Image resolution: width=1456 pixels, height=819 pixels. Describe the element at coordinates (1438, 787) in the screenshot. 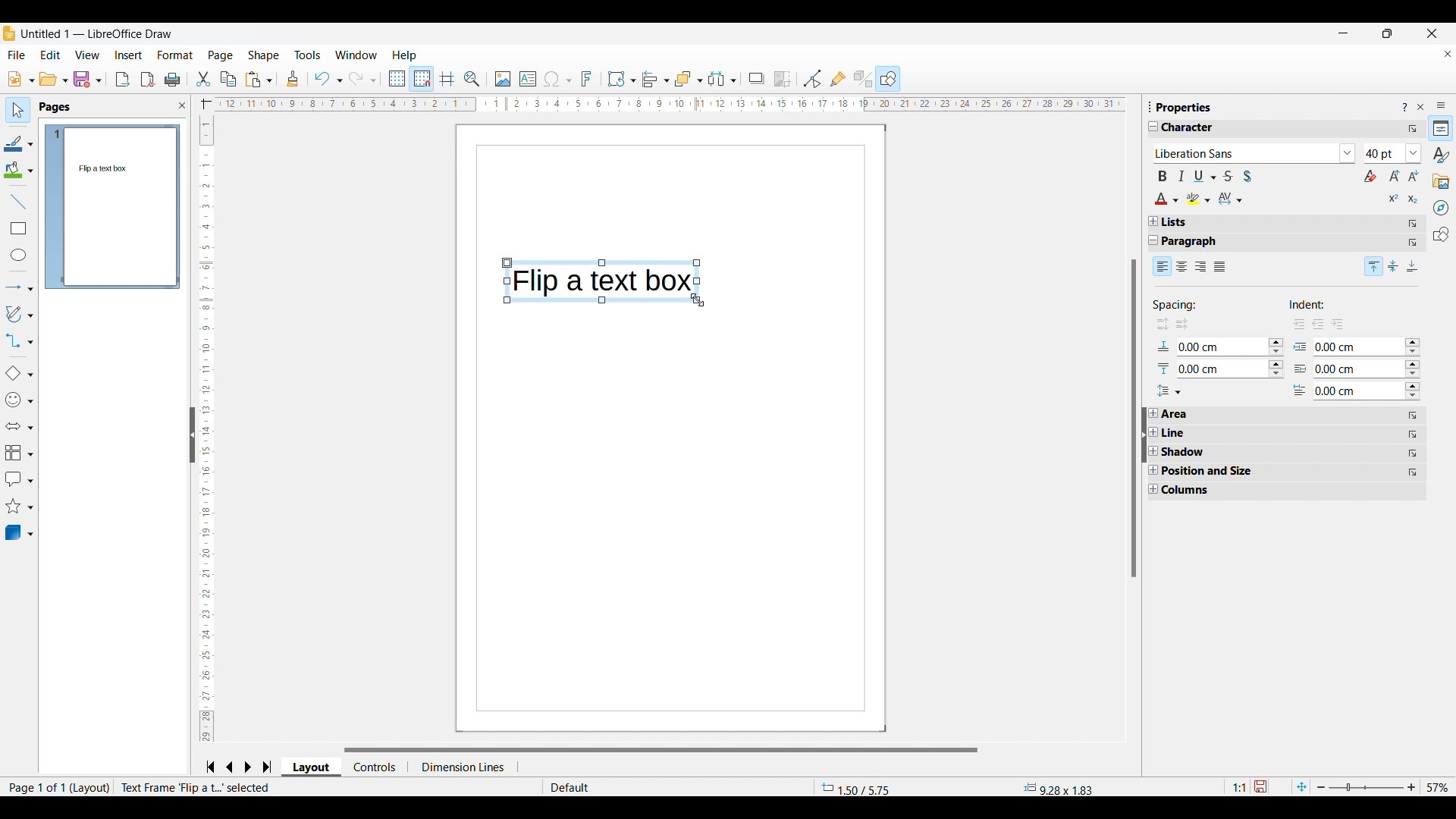

I see `57%` at that location.